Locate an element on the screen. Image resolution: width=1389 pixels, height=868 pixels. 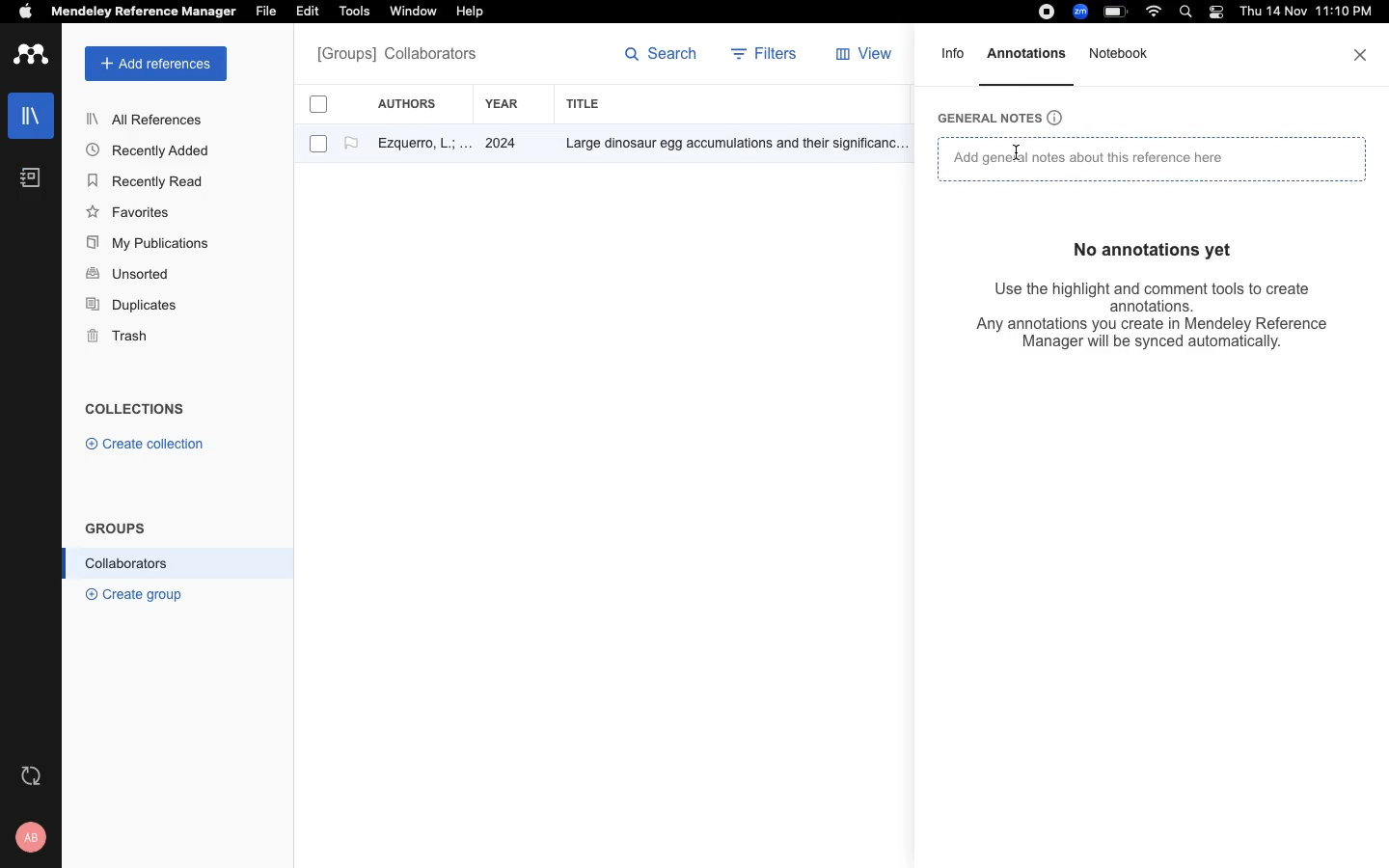
Help is located at coordinates (468, 13).